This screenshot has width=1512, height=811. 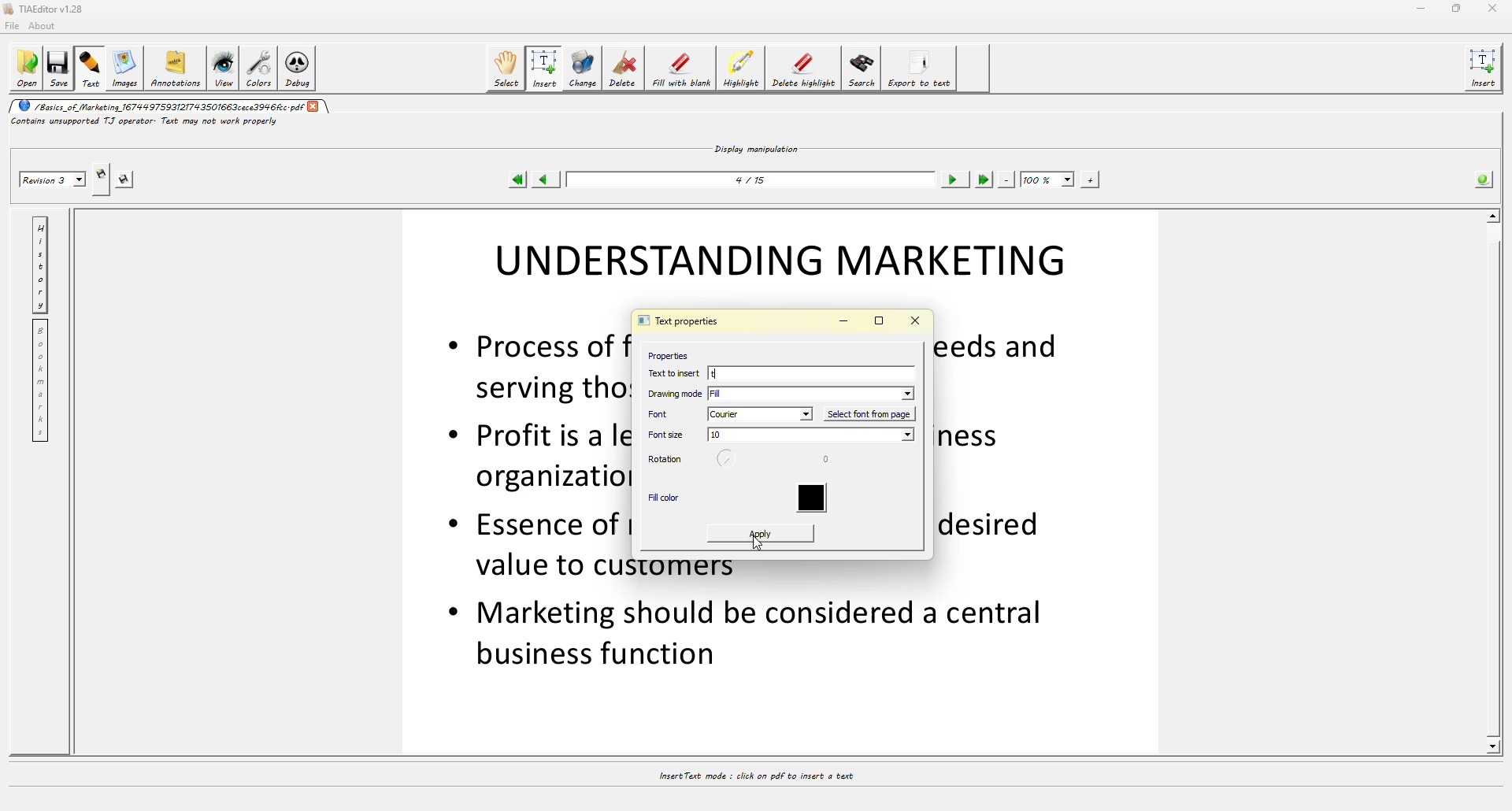 I want to click on apply, so click(x=760, y=528).